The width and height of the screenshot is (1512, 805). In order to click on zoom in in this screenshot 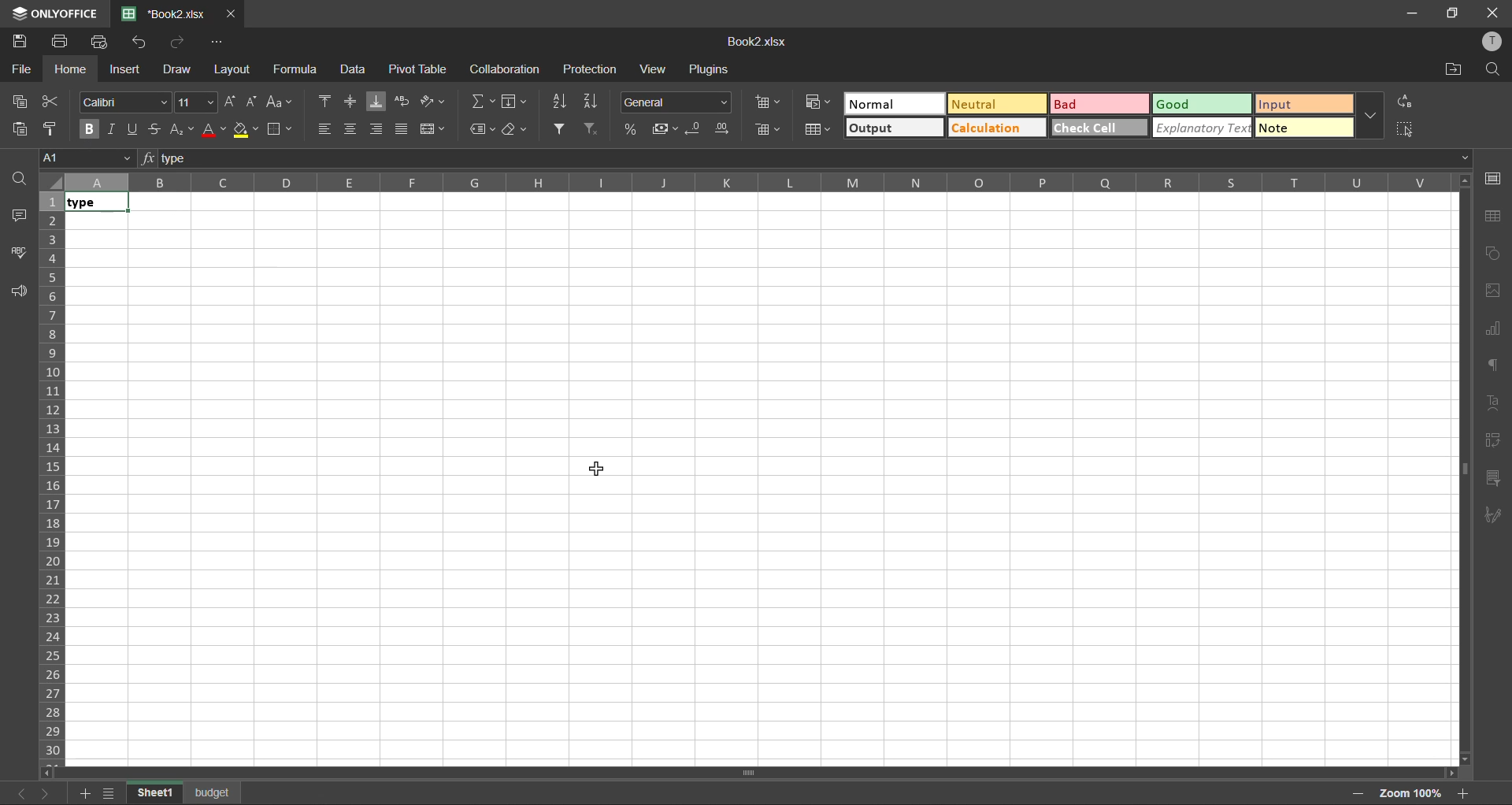, I will do `click(1466, 793)`.